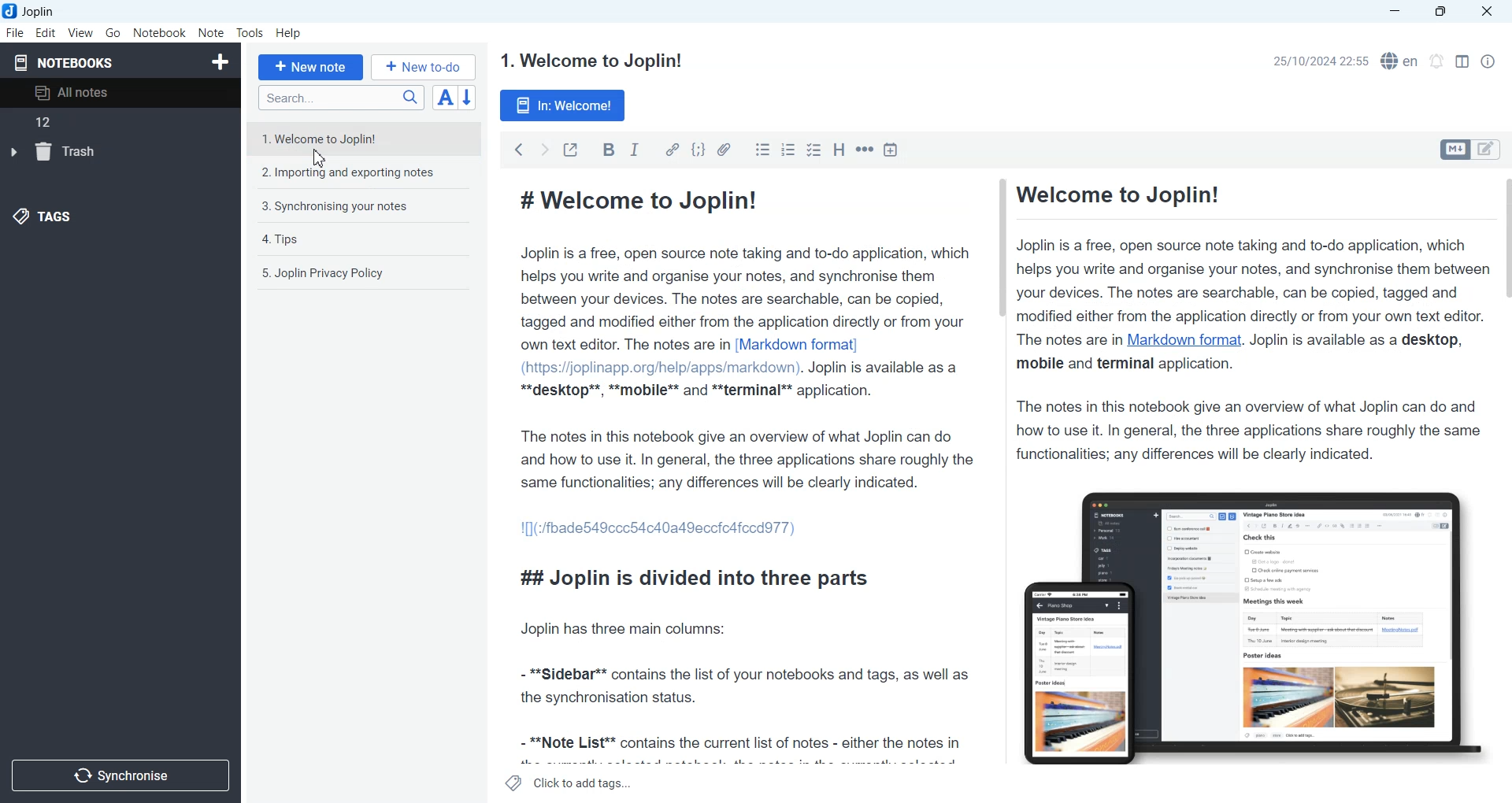 The image size is (1512, 803). Describe the element at coordinates (1244, 620) in the screenshot. I see `Figure` at that location.